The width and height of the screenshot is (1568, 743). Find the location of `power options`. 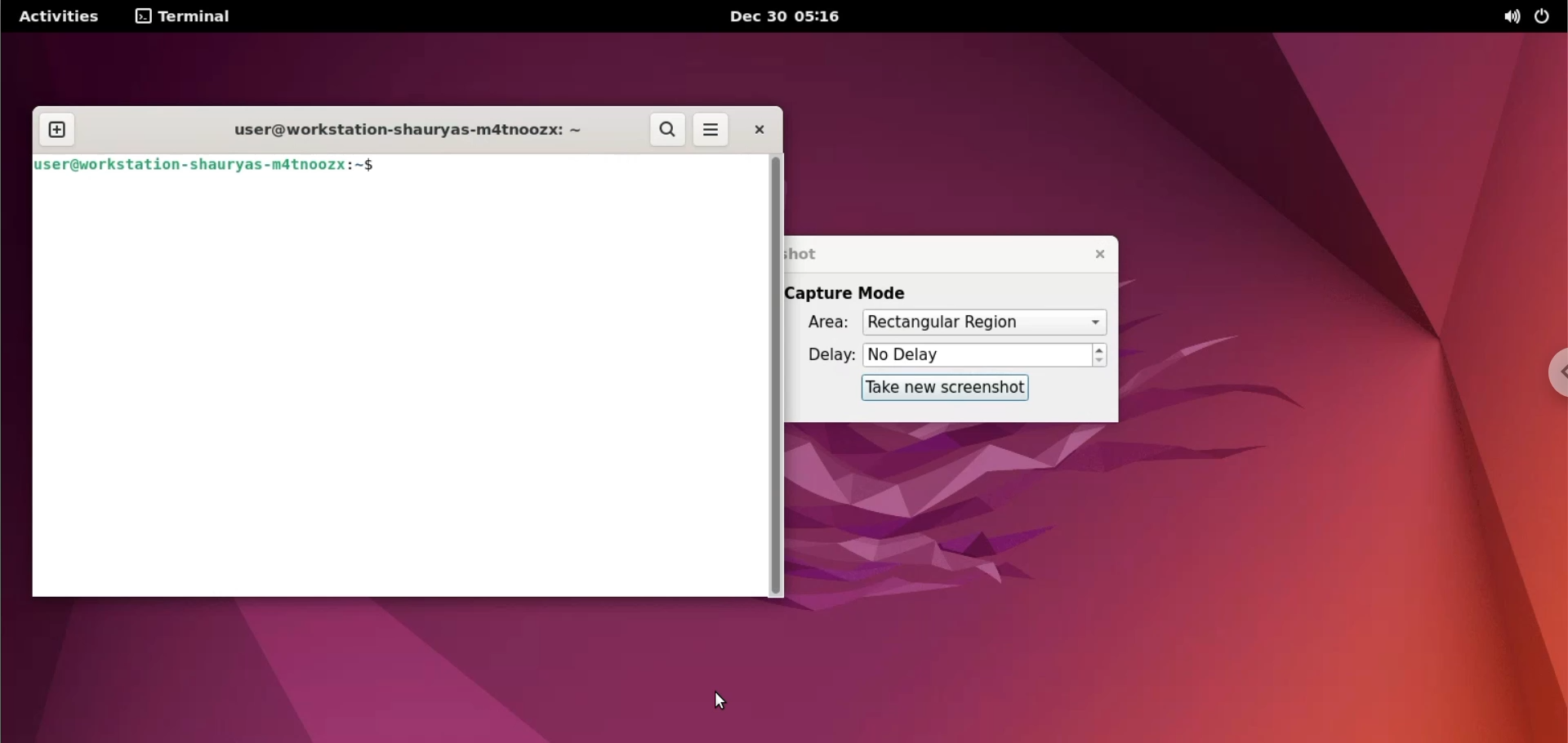

power options is located at coordinates (1545, 19).